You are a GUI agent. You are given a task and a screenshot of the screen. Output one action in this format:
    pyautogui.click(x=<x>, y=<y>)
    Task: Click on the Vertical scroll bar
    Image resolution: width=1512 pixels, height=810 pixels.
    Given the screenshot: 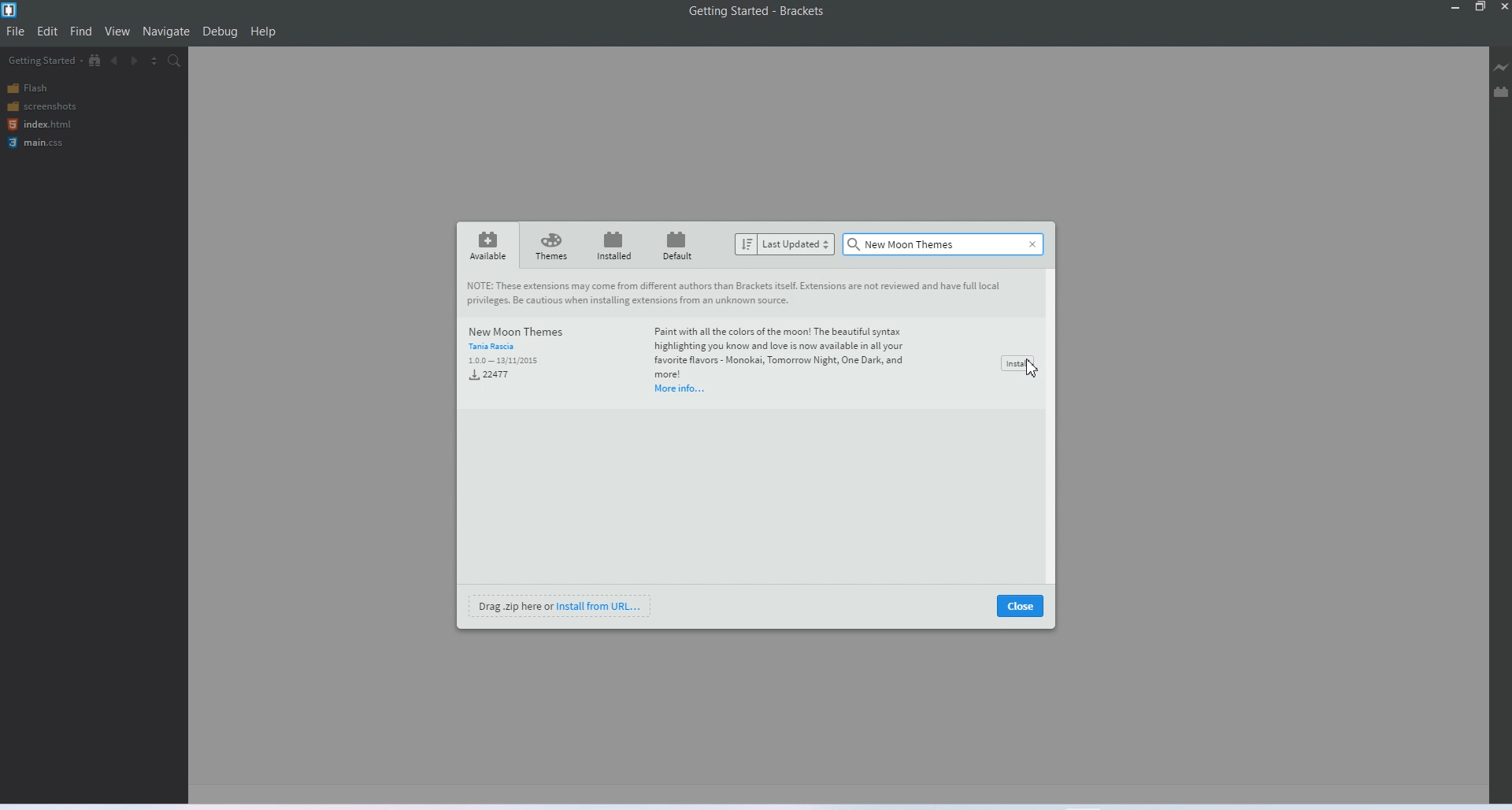 What is the action you would take?
    pyautogui.click(x=1053, y=423)
    